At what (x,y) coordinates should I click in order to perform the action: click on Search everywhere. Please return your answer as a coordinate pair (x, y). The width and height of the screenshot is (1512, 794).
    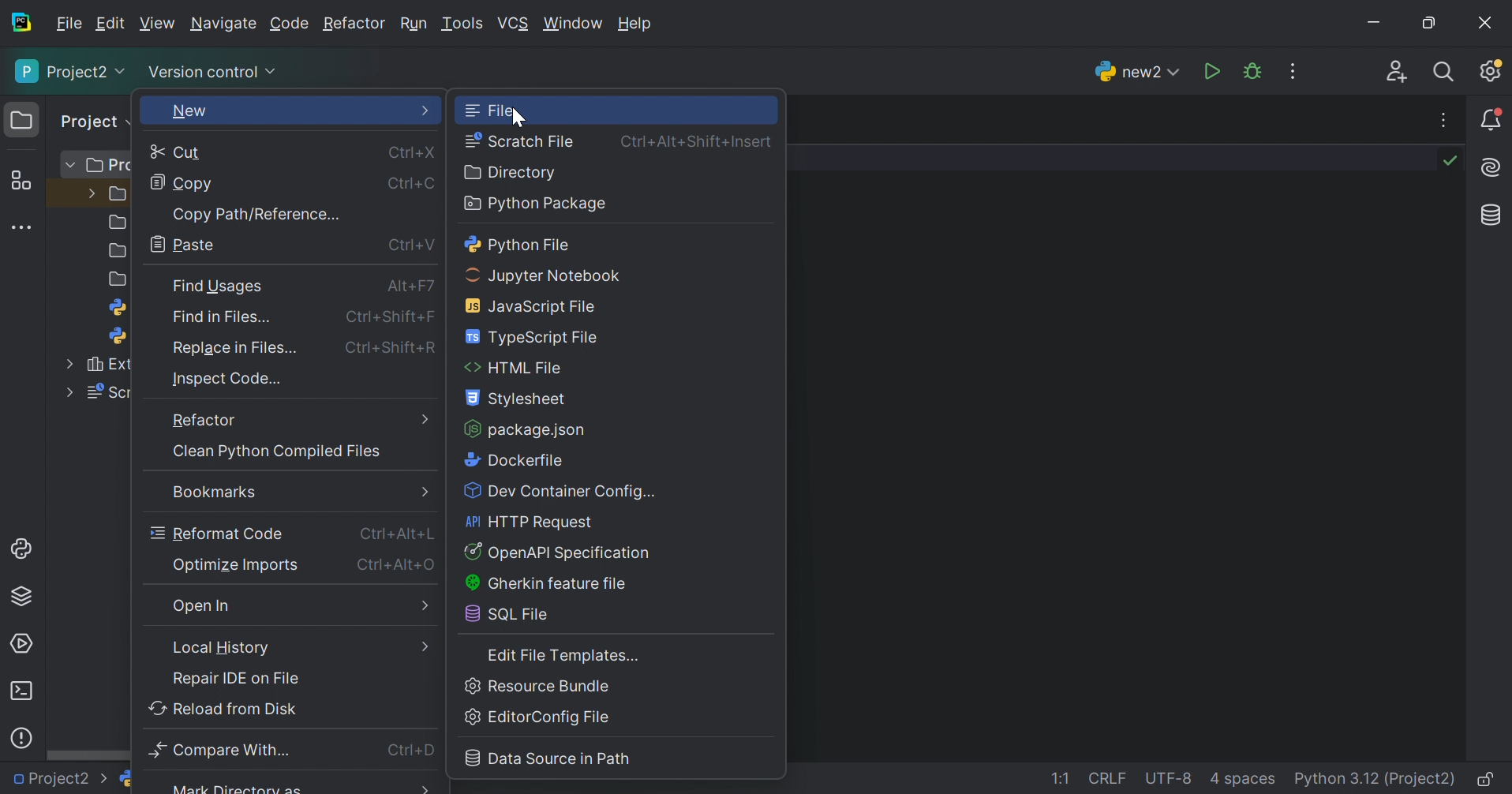
    Looking at the image, I should click on (1447, 73).